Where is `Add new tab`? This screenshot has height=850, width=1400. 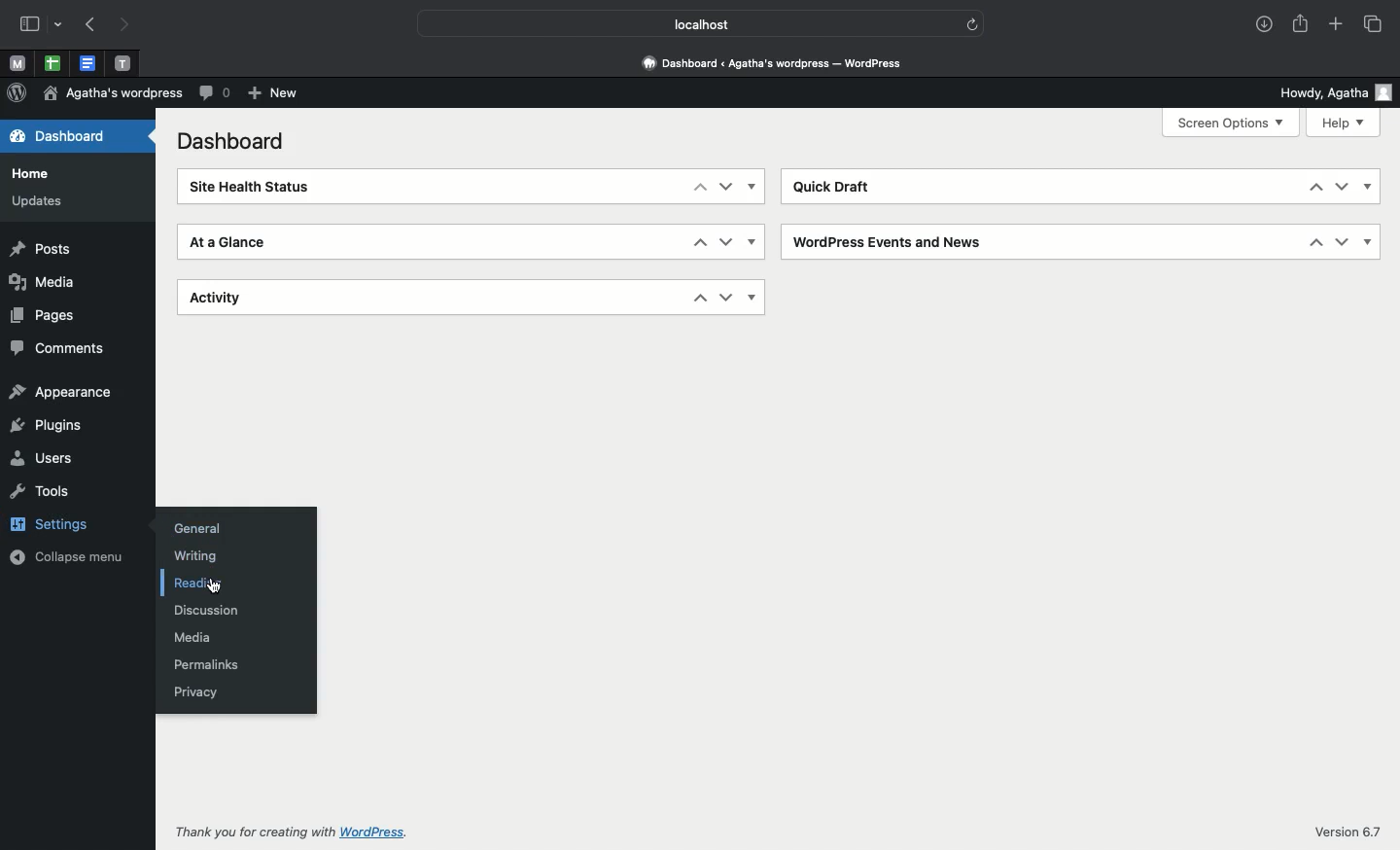 Add new tab is located at coordinates (1336, 21).